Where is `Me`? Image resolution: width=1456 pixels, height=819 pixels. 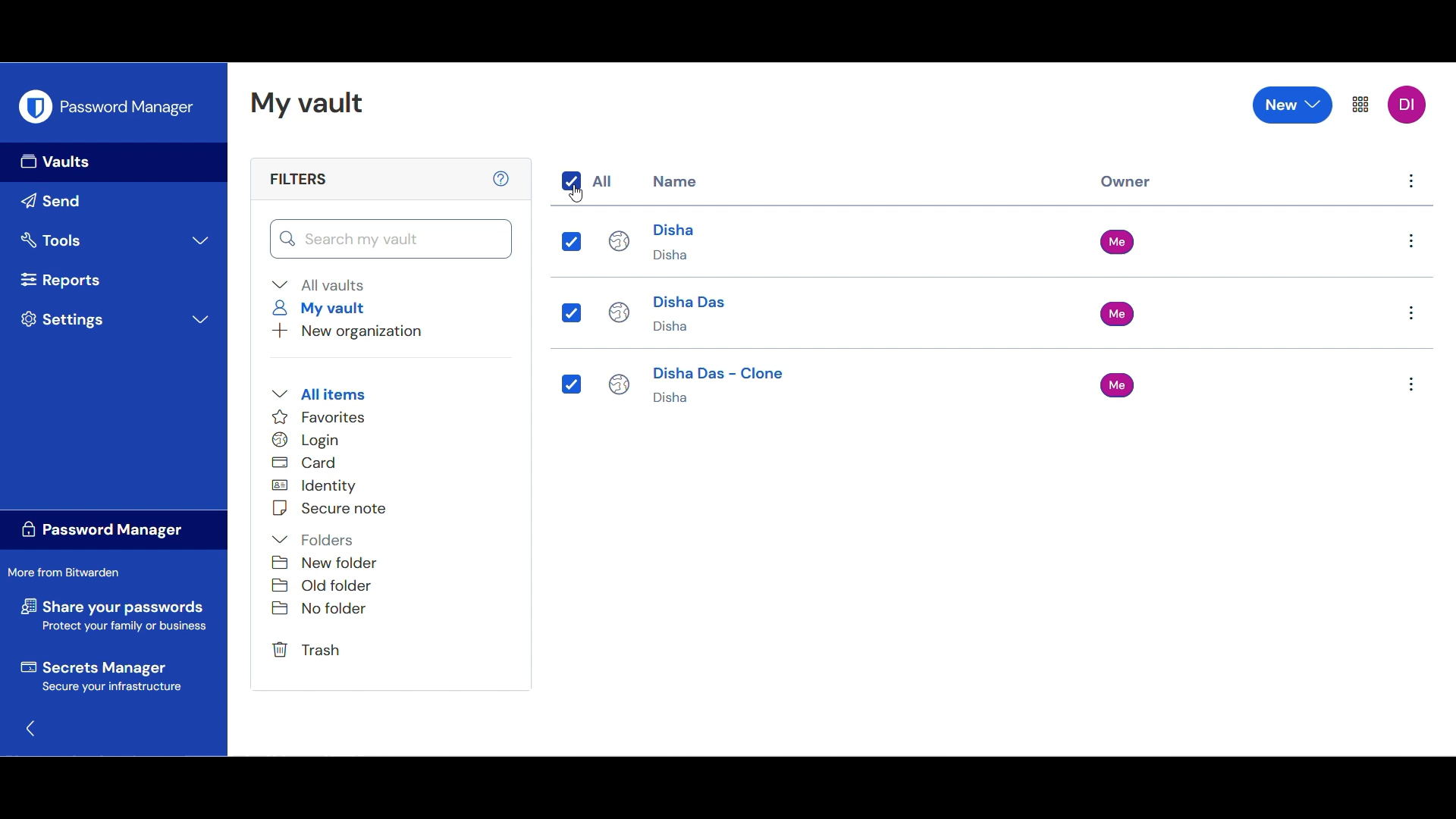 Me is located at coordinates (1121, 241).